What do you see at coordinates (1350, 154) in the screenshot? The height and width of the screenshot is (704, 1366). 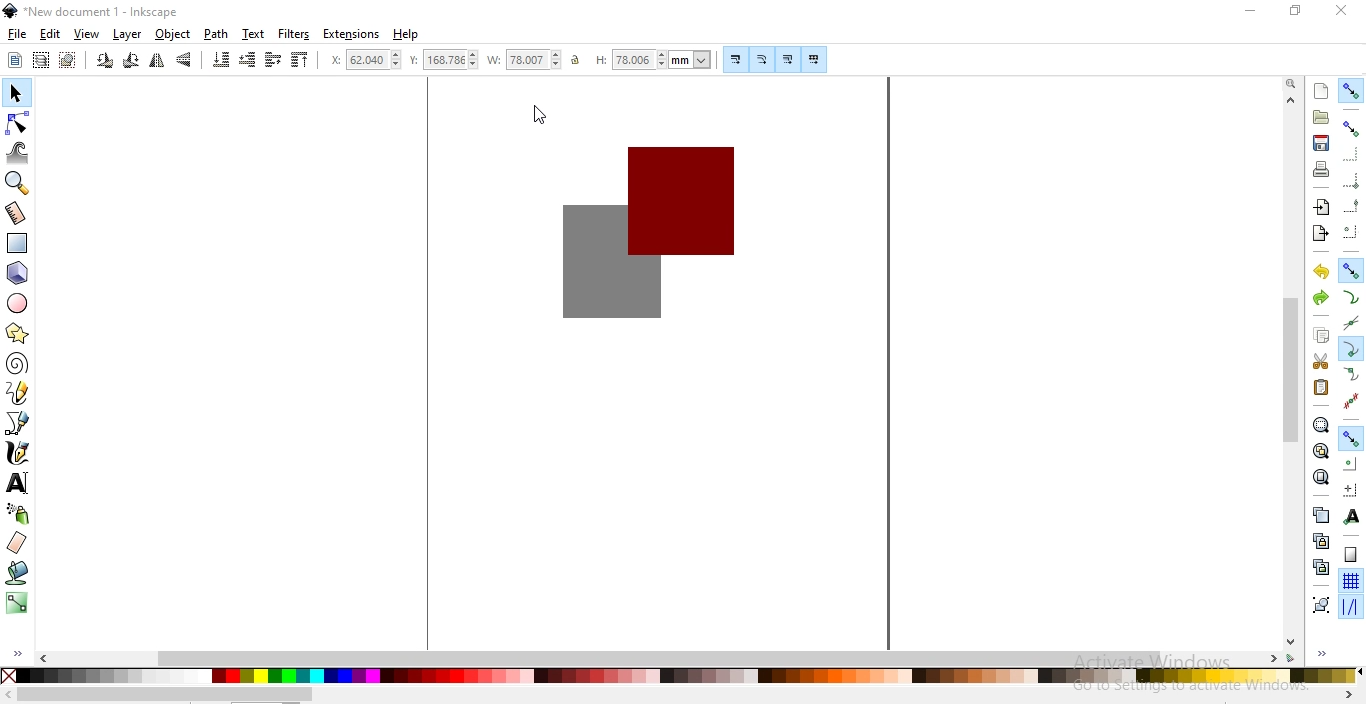 I see `snap bounding box corners` at bounding box center [1350, 154].